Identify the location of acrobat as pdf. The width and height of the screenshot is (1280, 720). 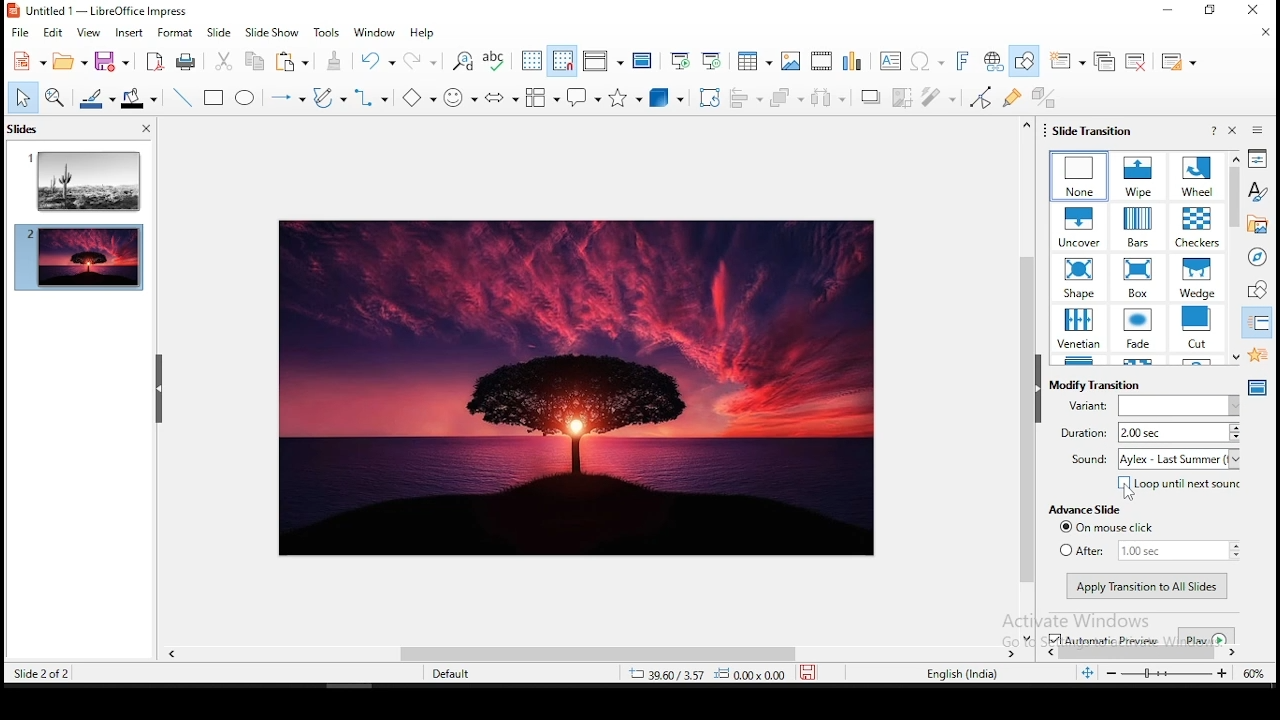
(153, 61).